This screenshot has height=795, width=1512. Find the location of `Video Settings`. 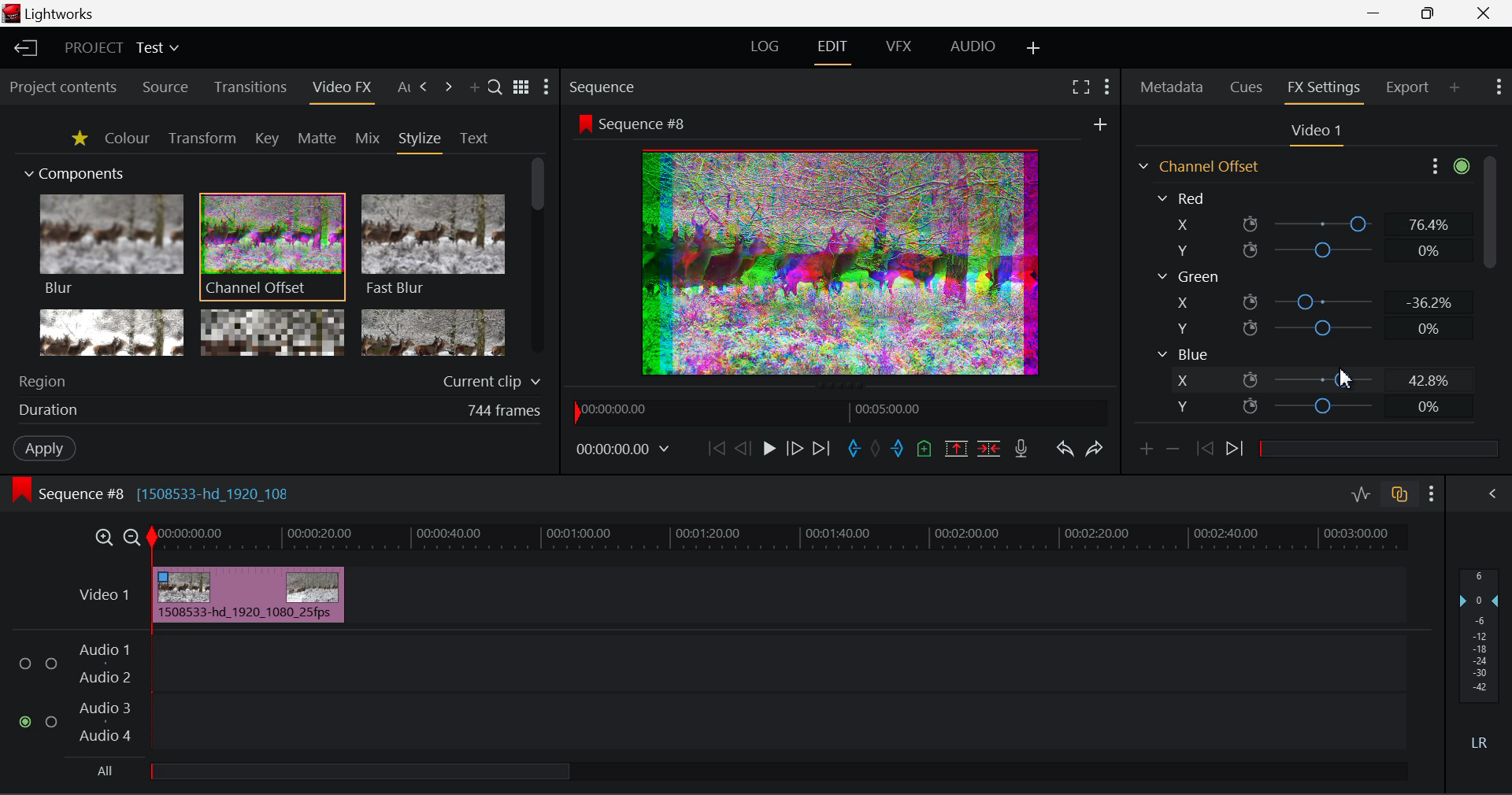

Video Settings is located at coordinates (1314, 134).